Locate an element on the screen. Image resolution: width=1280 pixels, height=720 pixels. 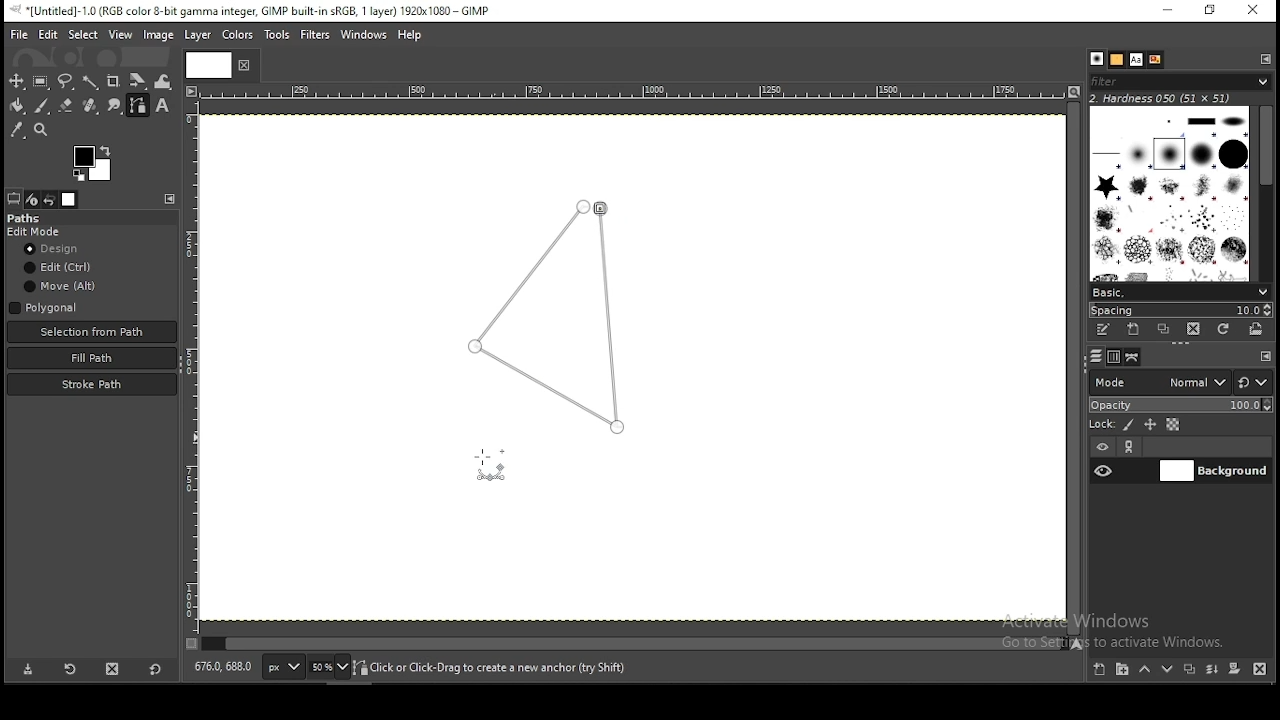
duplicate layer is located at coordinates (1191, 670).